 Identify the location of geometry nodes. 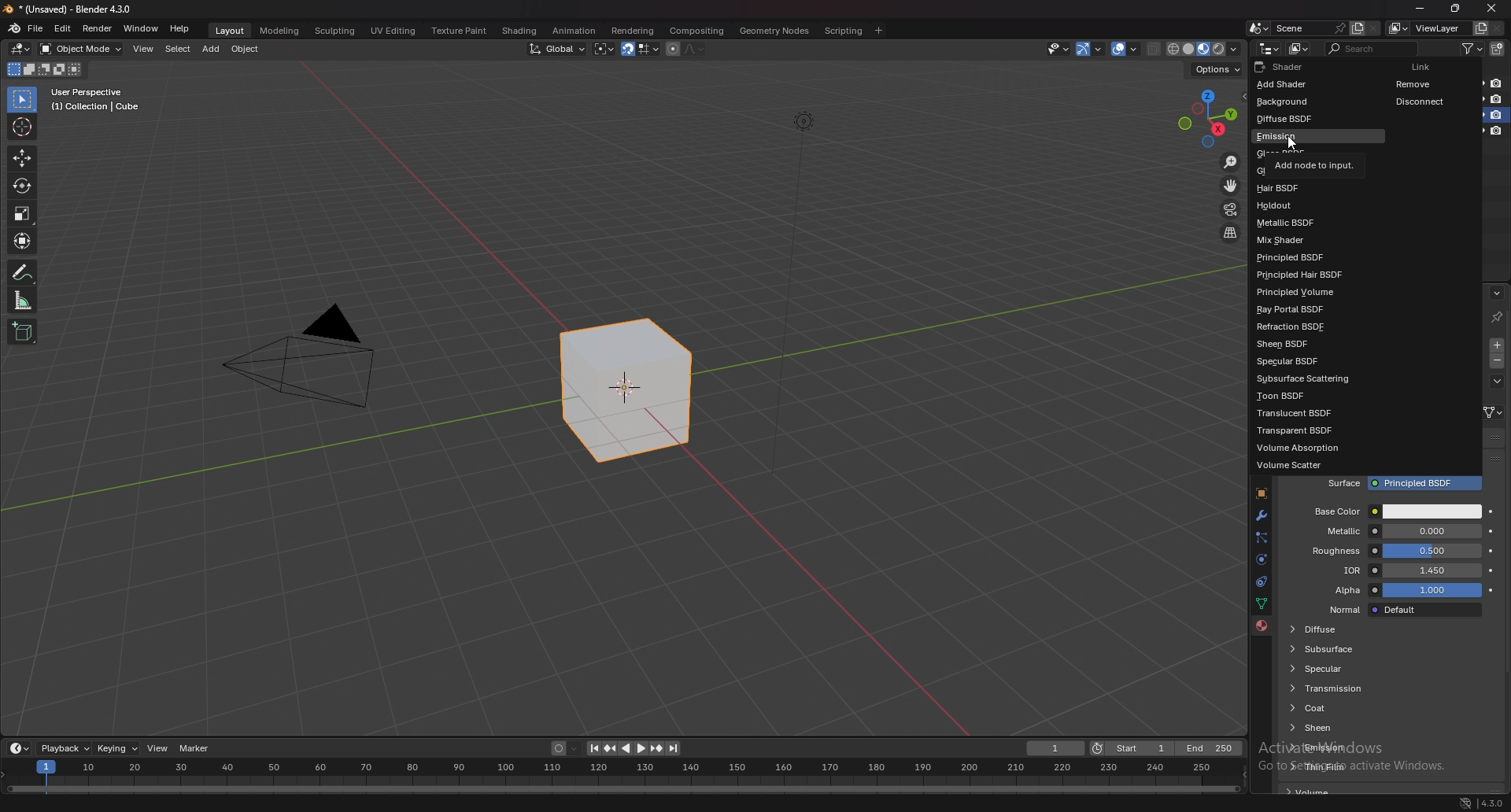
(774, 30).